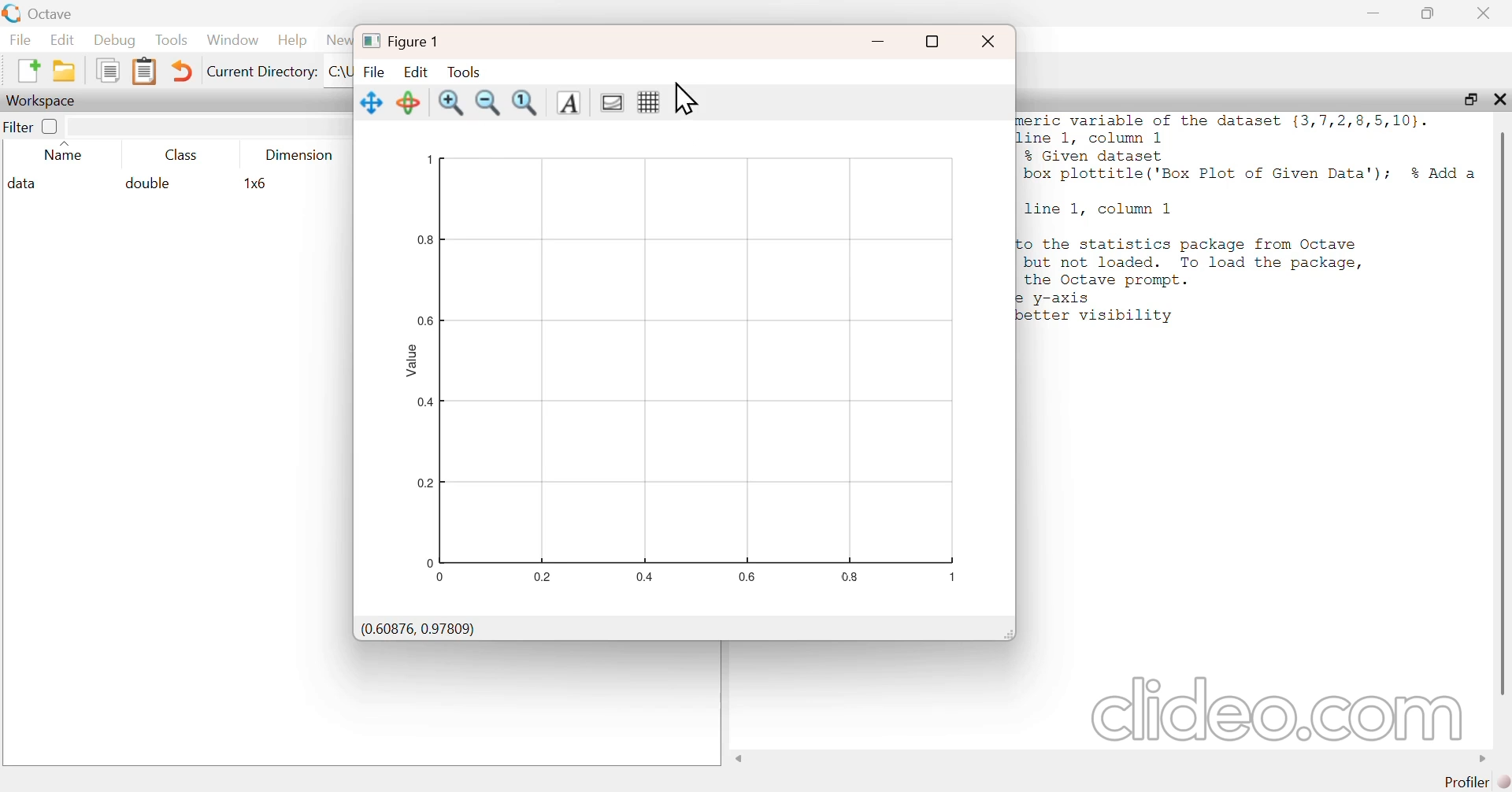  Describe the element at coordinates (103, 72) in the screenshot. I see `copy` at that location.